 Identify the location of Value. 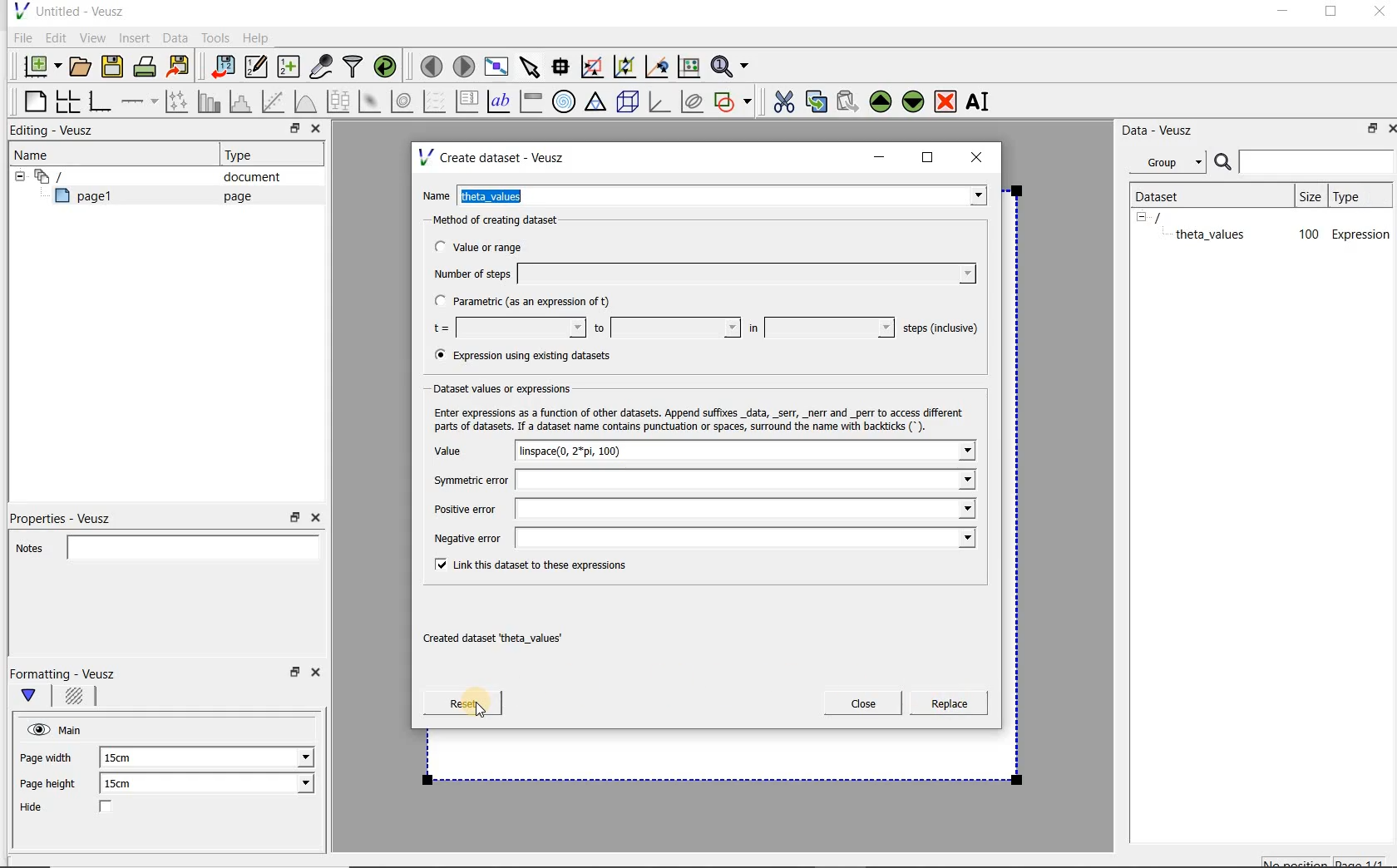
(465, 451).